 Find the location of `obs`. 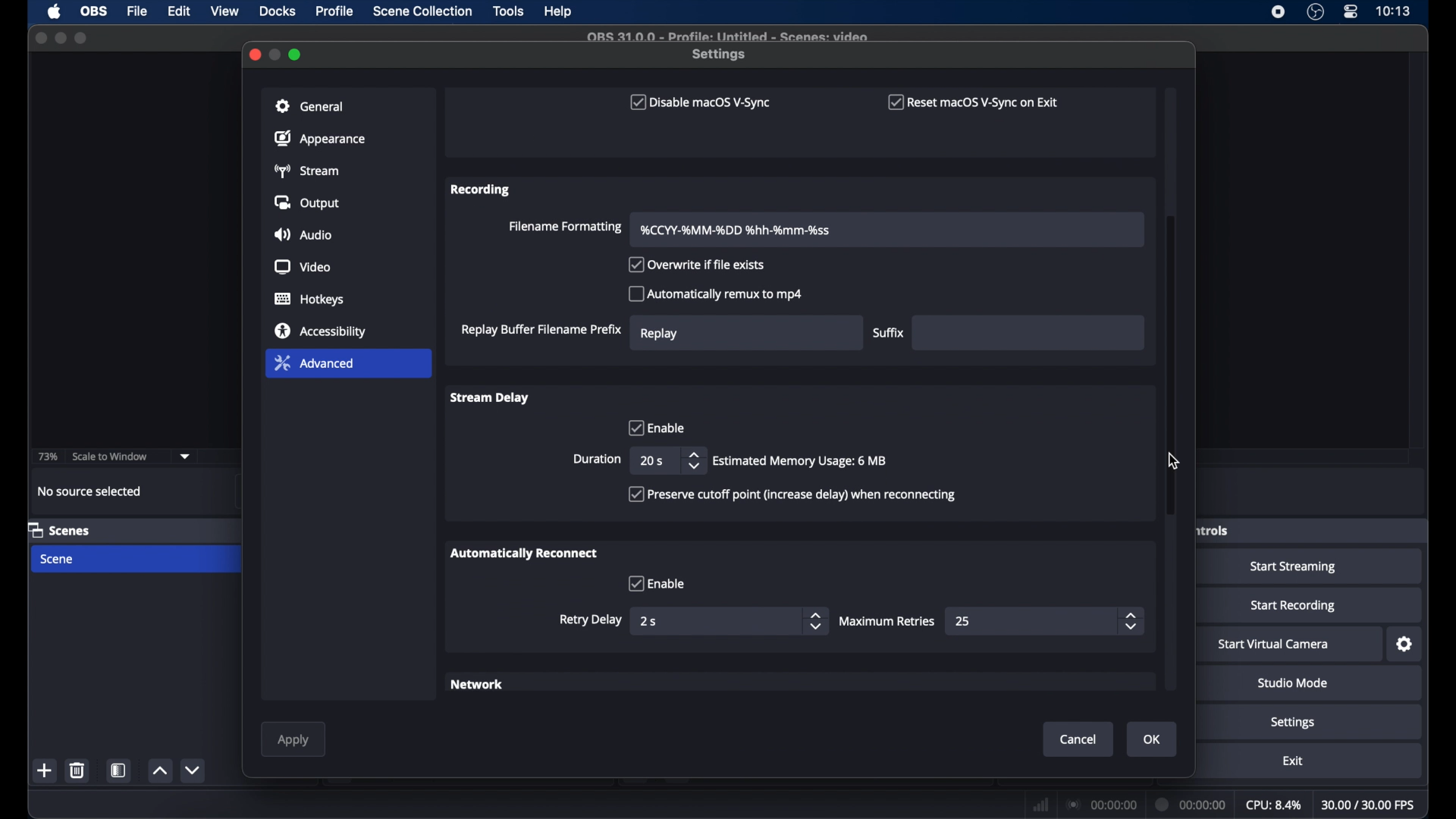

obs is located at coordinates (96, 11).